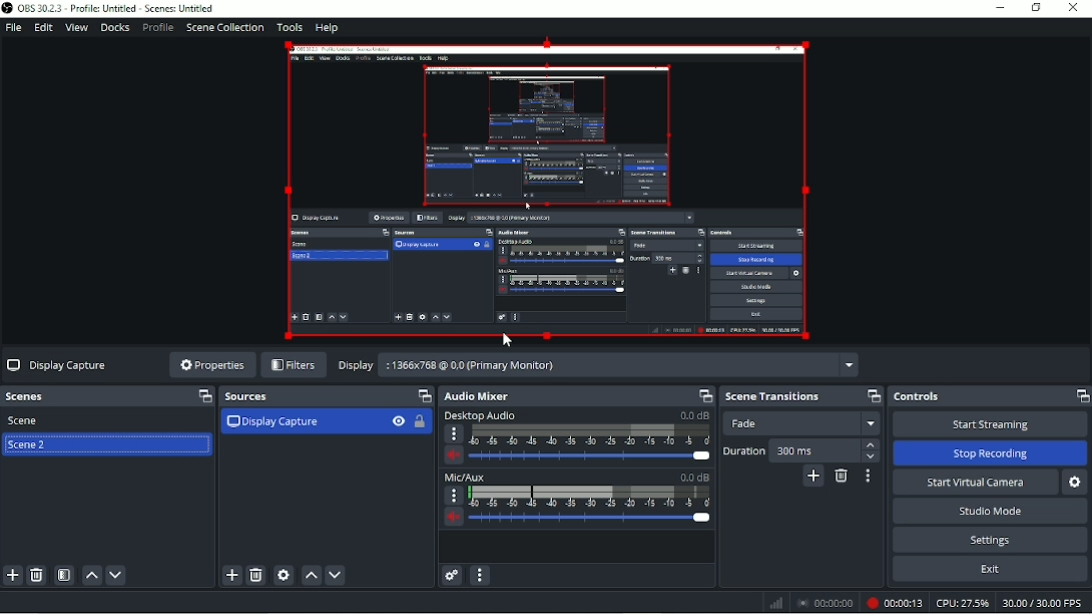 This screenshot has height=614, width=1092. I want to click on More Options, so click(451, 495).